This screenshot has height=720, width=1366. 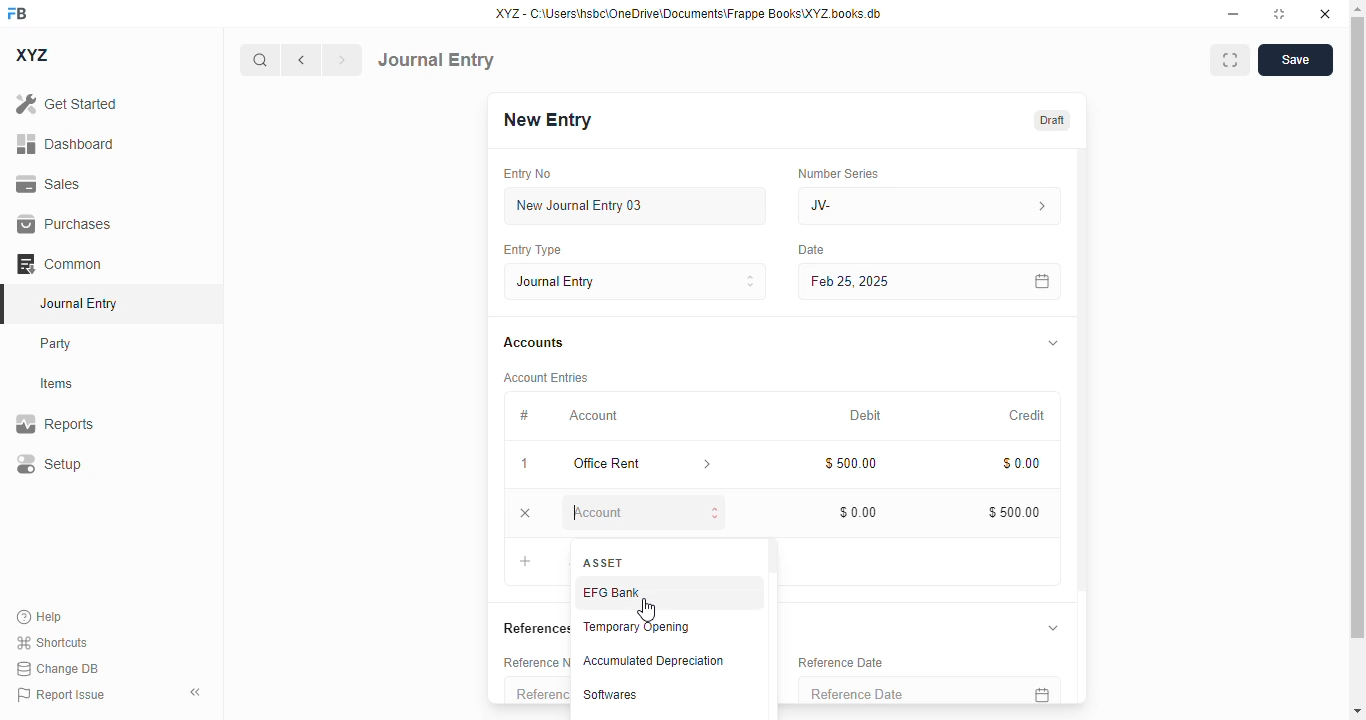 I want to click on calendar icon, so click(x=1041, y=281).